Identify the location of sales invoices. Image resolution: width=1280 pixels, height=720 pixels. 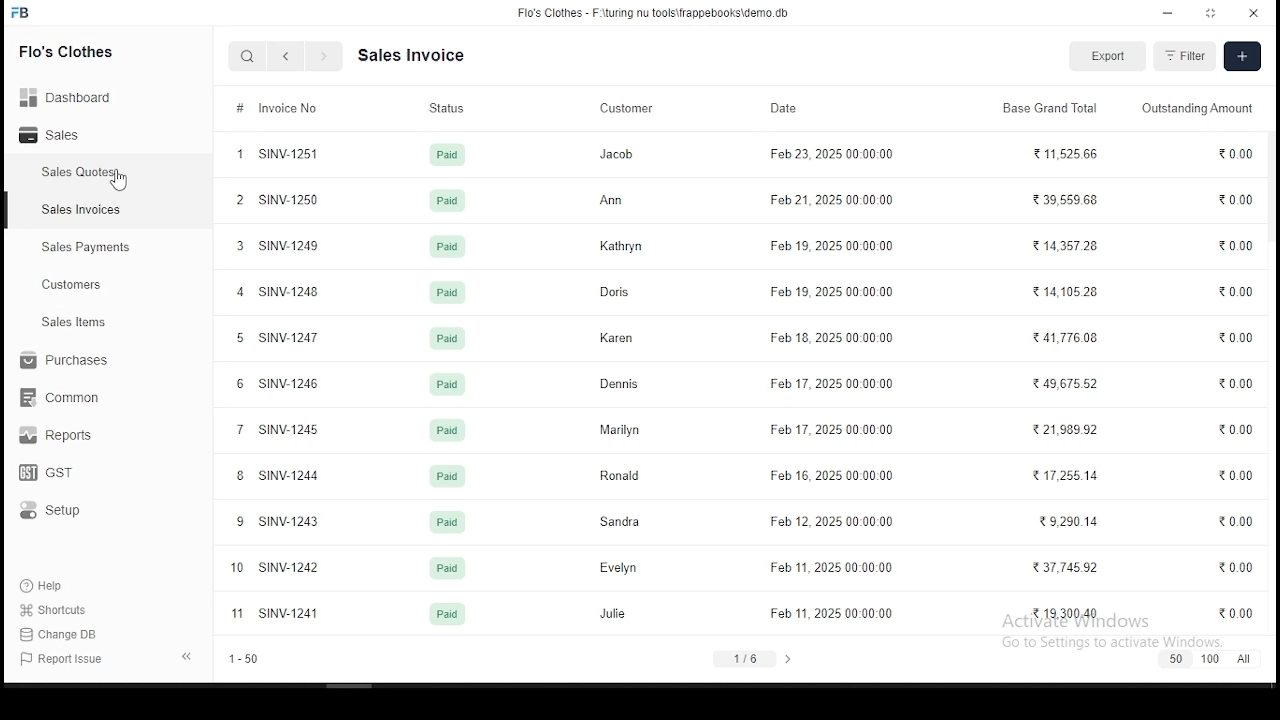
(86, 211).